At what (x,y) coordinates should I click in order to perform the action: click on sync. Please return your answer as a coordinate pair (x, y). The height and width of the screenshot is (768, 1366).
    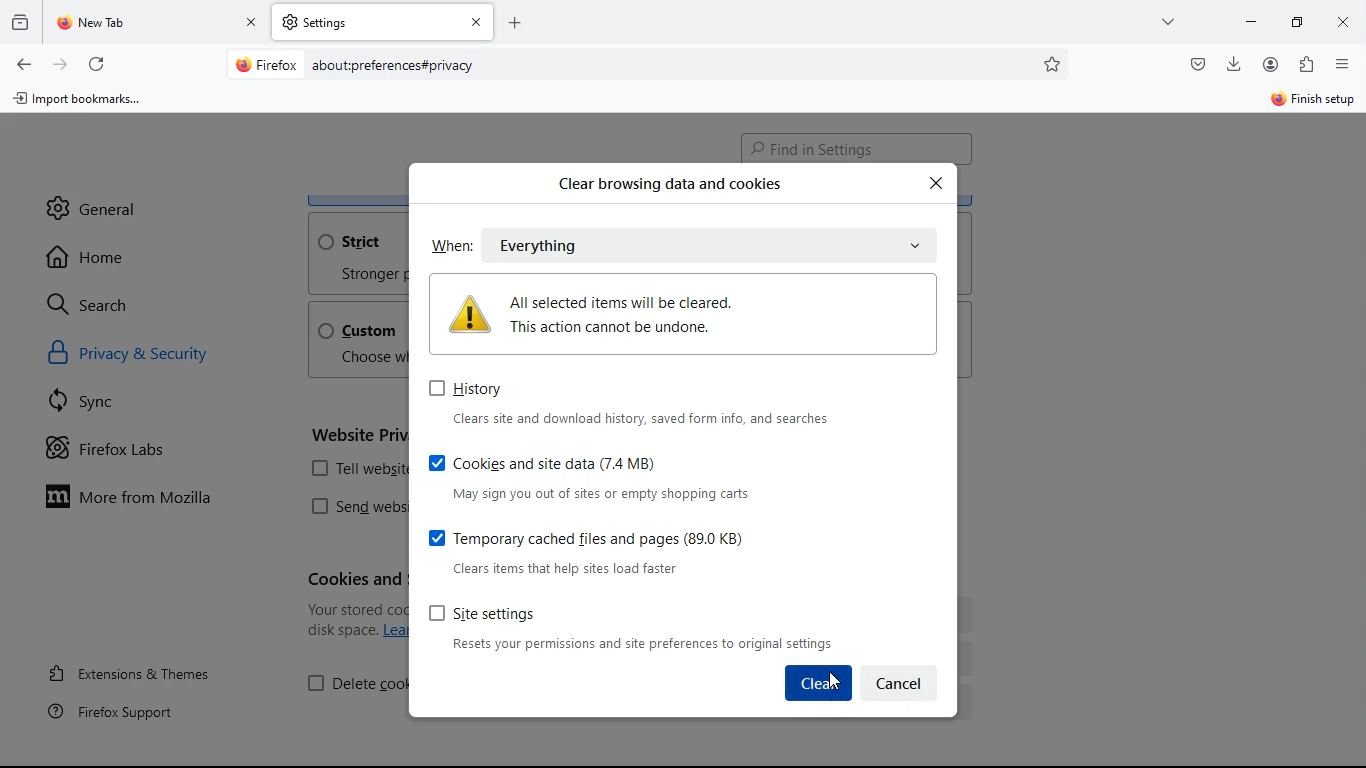
    Looking at the image, I should click on (91, 405).